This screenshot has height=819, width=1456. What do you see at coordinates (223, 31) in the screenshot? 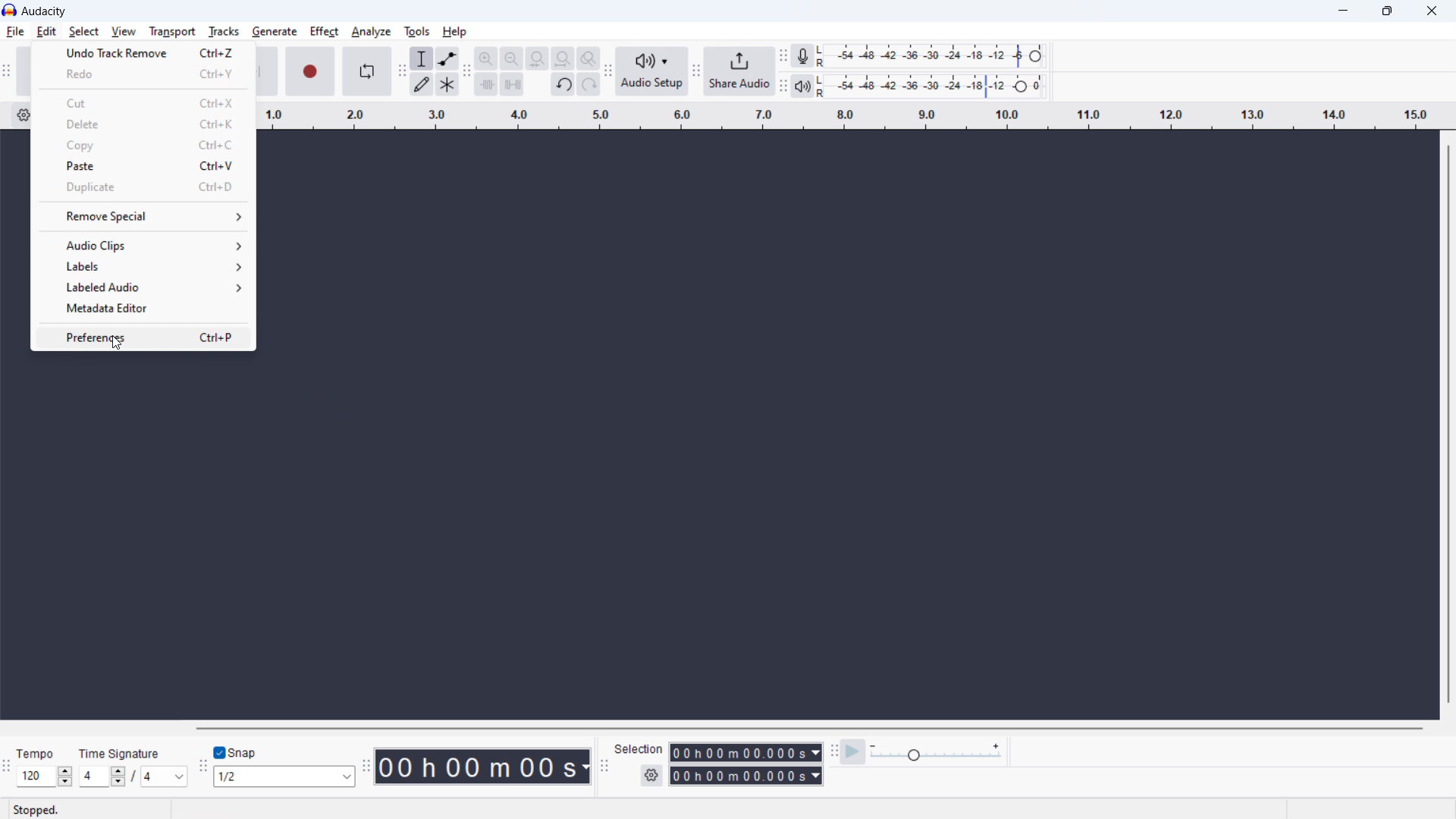
I see `tracks` at bounding box center [223, 31].